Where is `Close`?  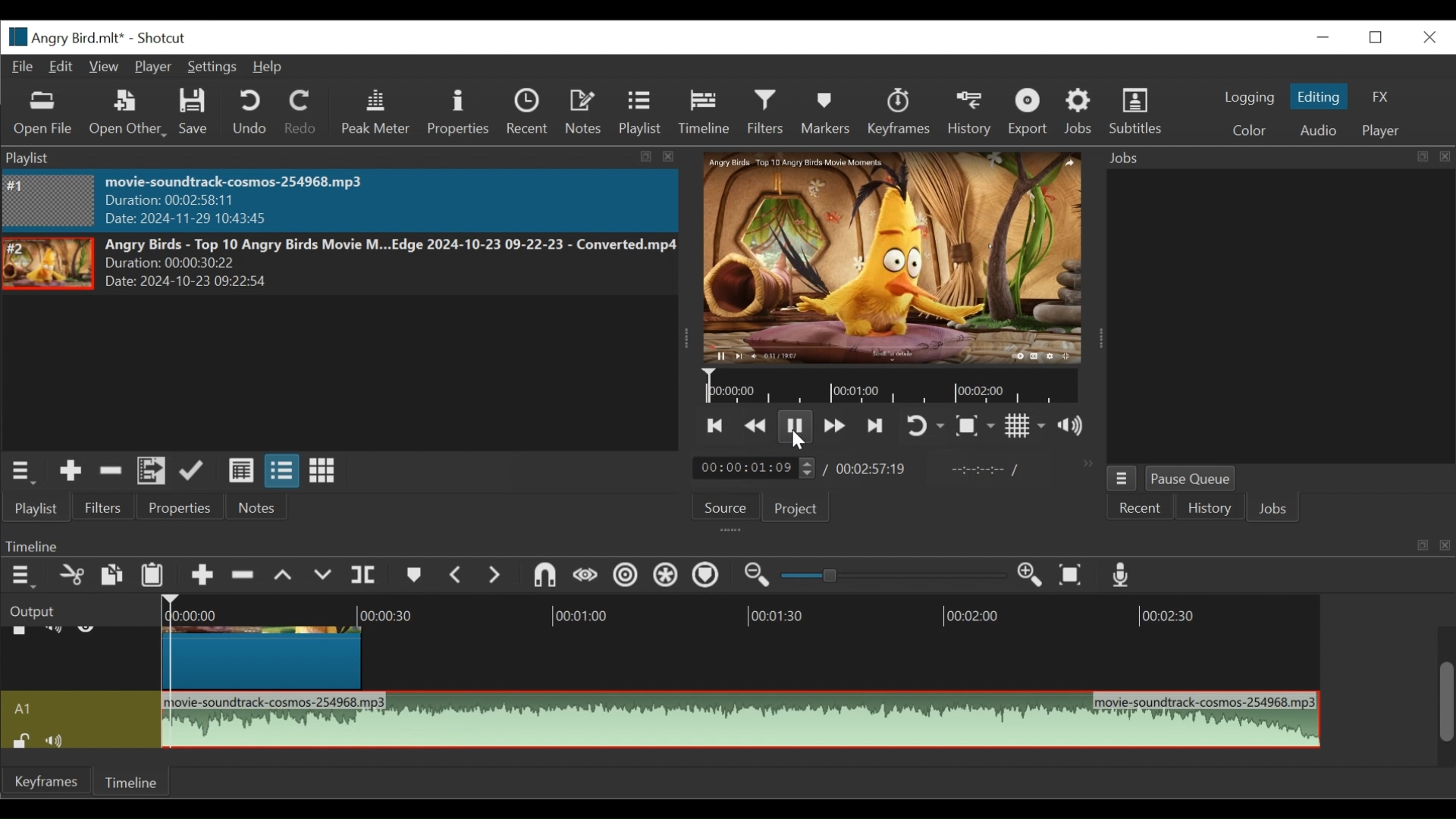
Close is located at coordinates (1429, 35).